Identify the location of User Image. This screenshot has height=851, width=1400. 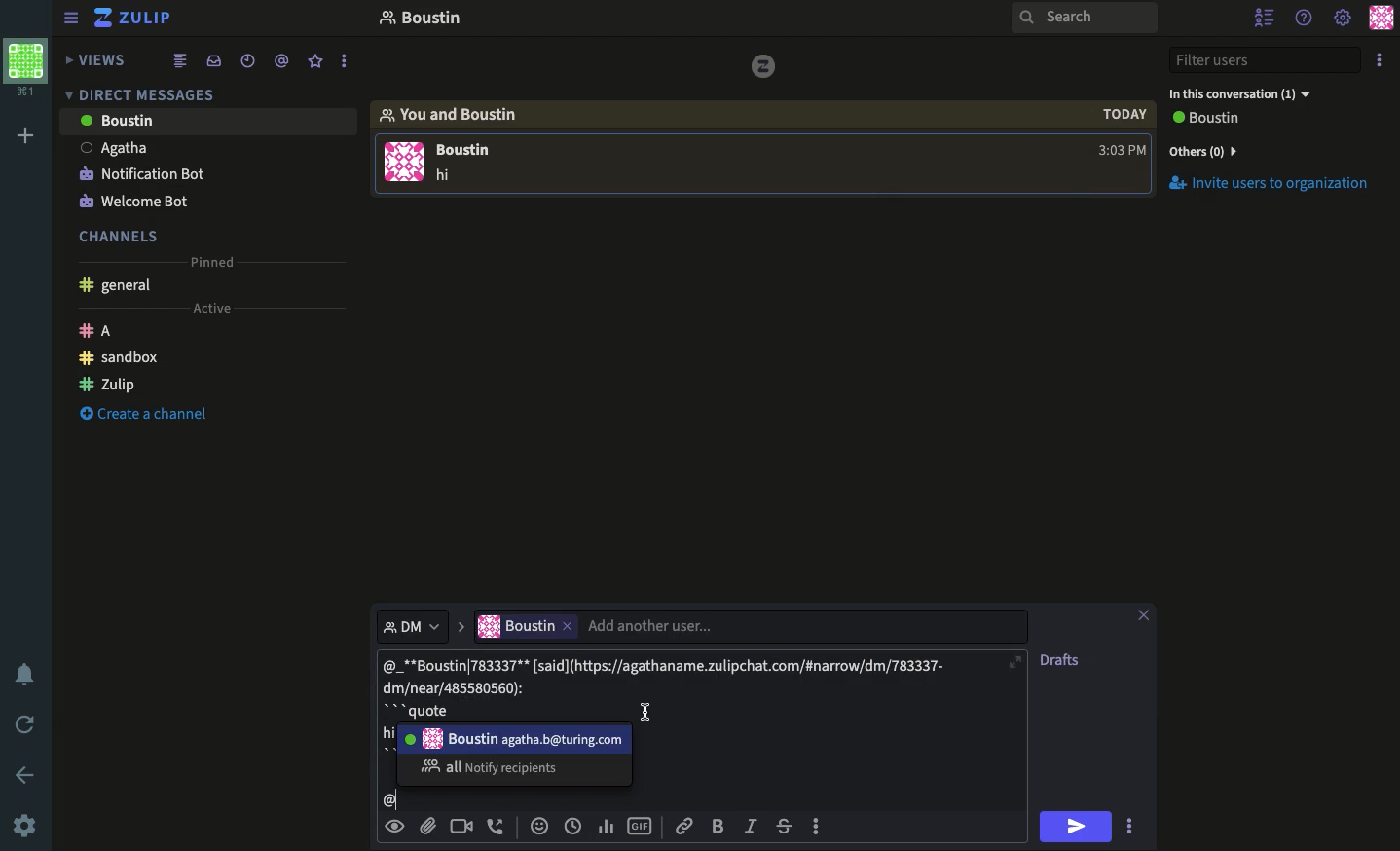
(404, 166).